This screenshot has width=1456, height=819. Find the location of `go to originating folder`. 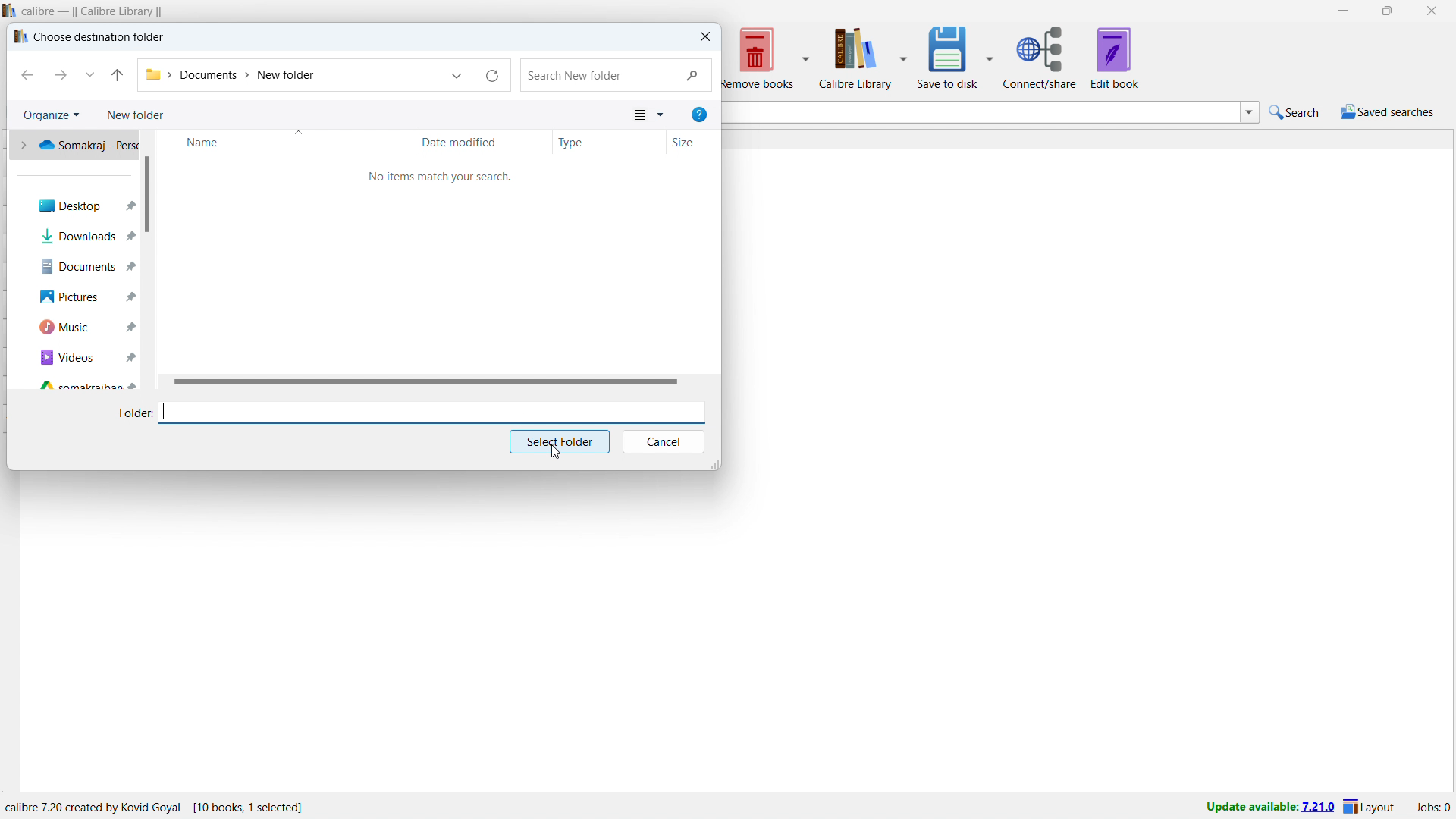

go to originating folder is located at coordinates (118, 75).